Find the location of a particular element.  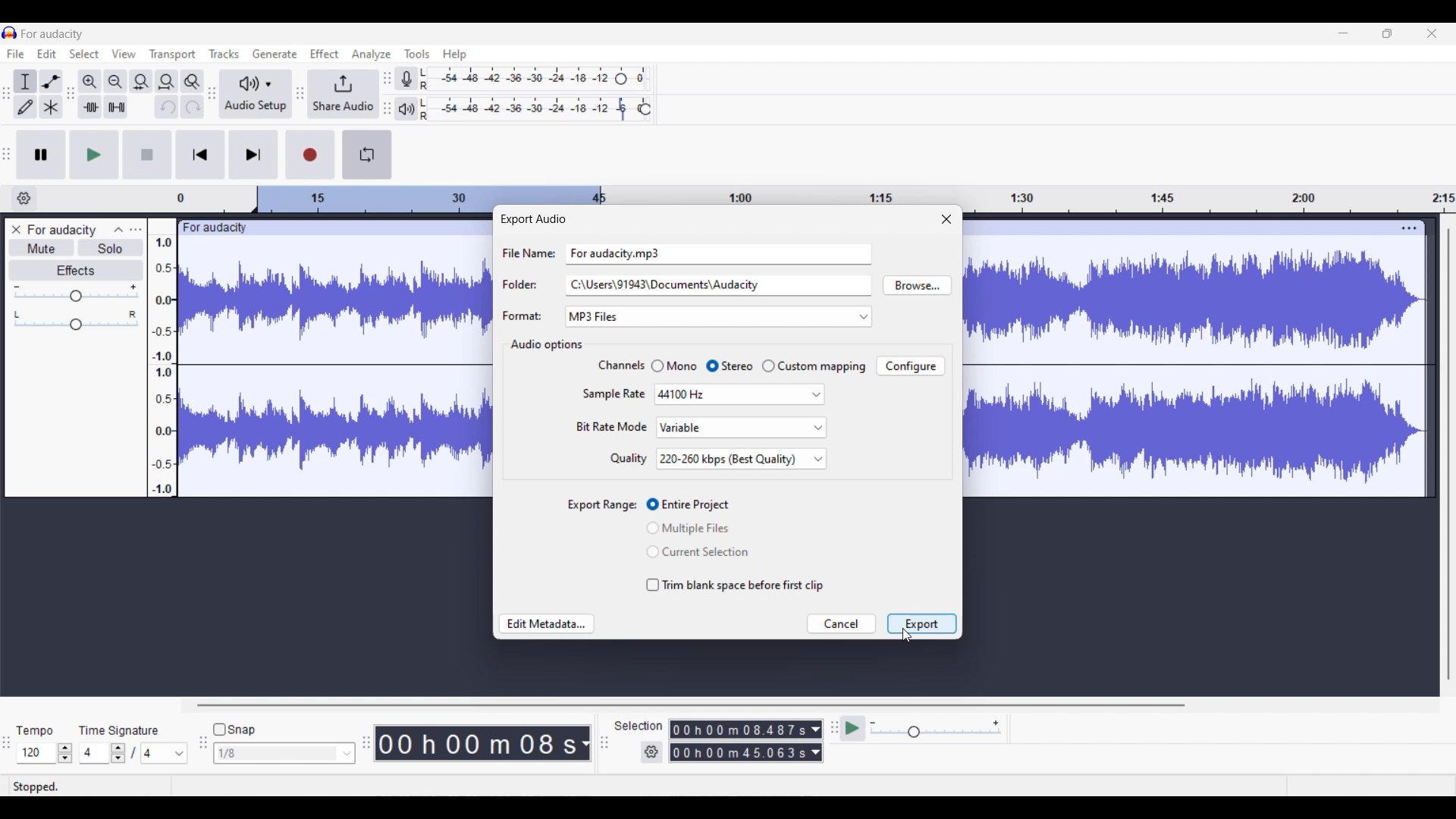

Play/Play once is located at coordinates (95, 155).